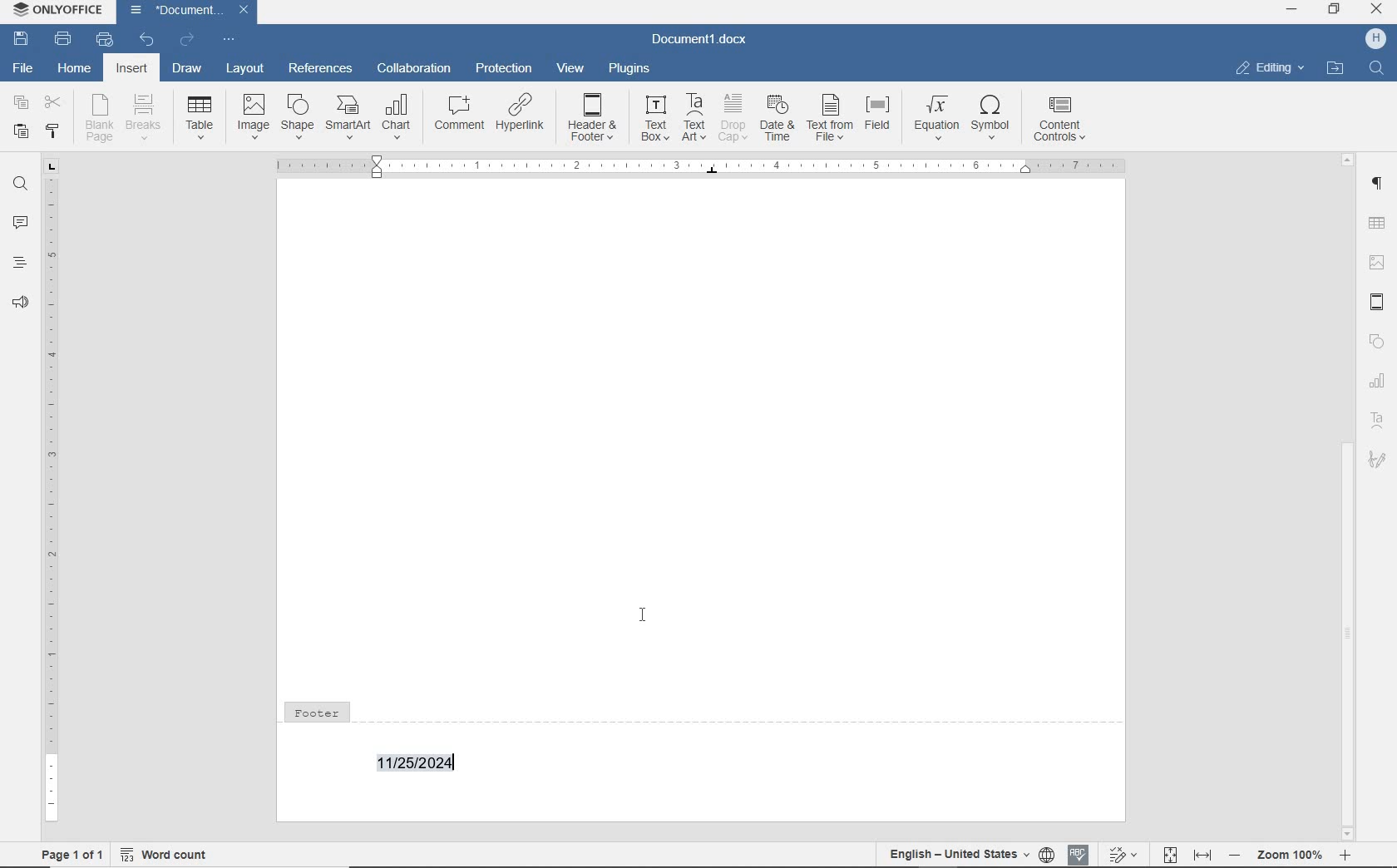 The height and width of the screenshot is (868, 1397). What do you see at coordinates (1380, 303) in the screenshot?
I see `header & footer` at bounding box center [1380, 303].